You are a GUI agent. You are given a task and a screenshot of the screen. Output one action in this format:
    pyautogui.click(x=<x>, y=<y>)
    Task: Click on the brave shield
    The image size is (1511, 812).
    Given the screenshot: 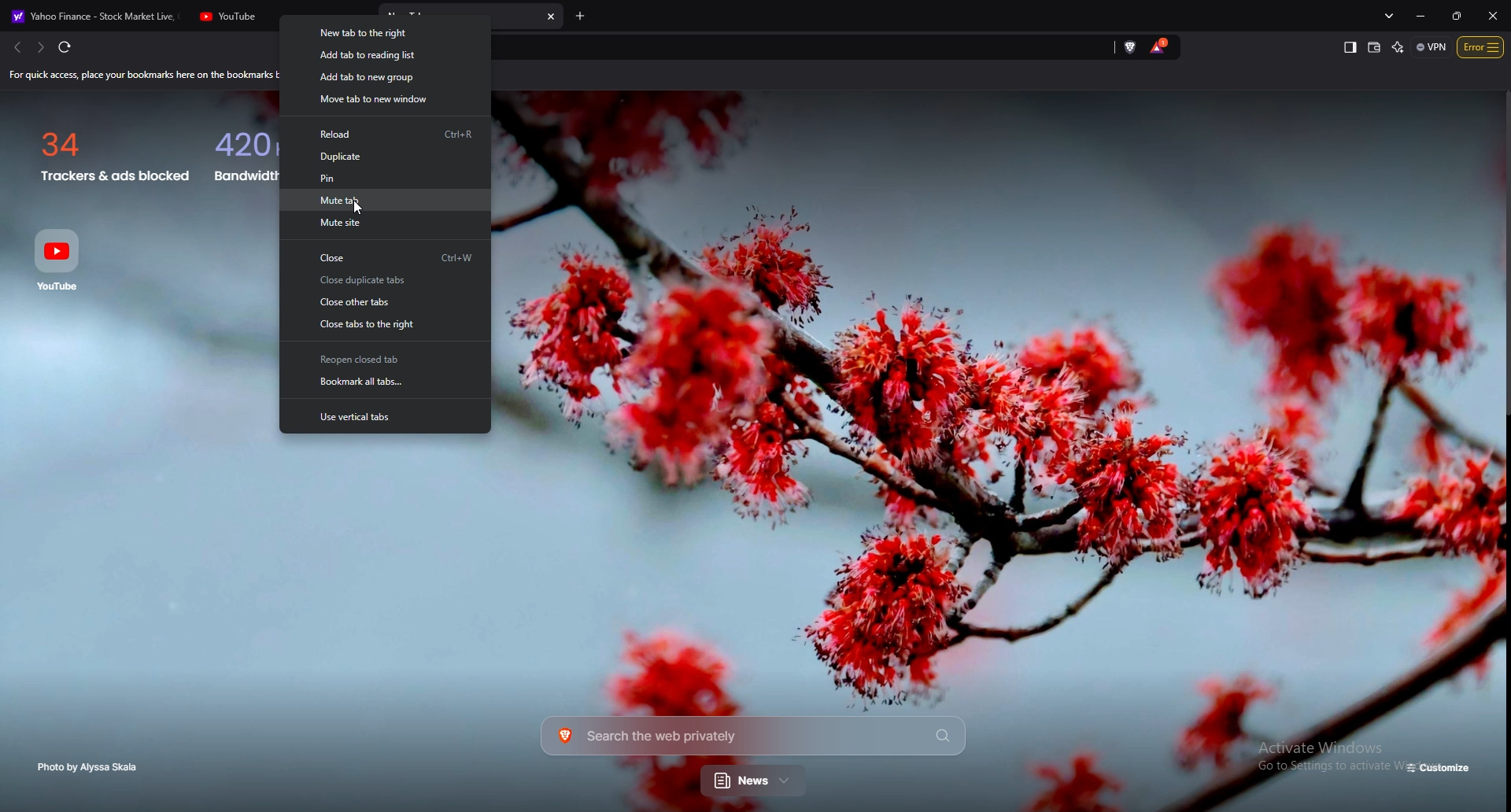 What is the action you would take?
    pyautogui.click(x=1132, y=46)
    